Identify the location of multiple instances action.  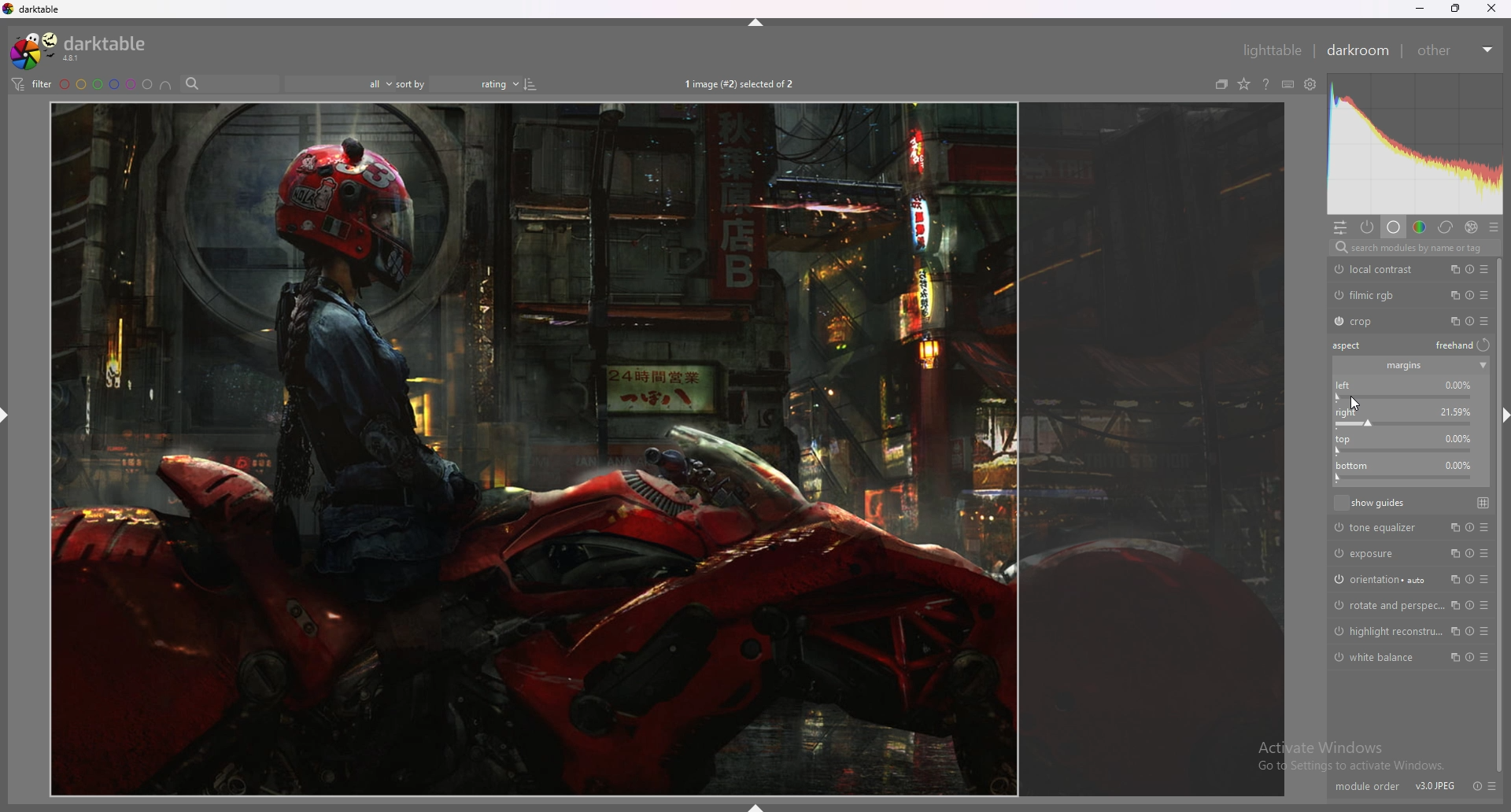
(1454, 553).